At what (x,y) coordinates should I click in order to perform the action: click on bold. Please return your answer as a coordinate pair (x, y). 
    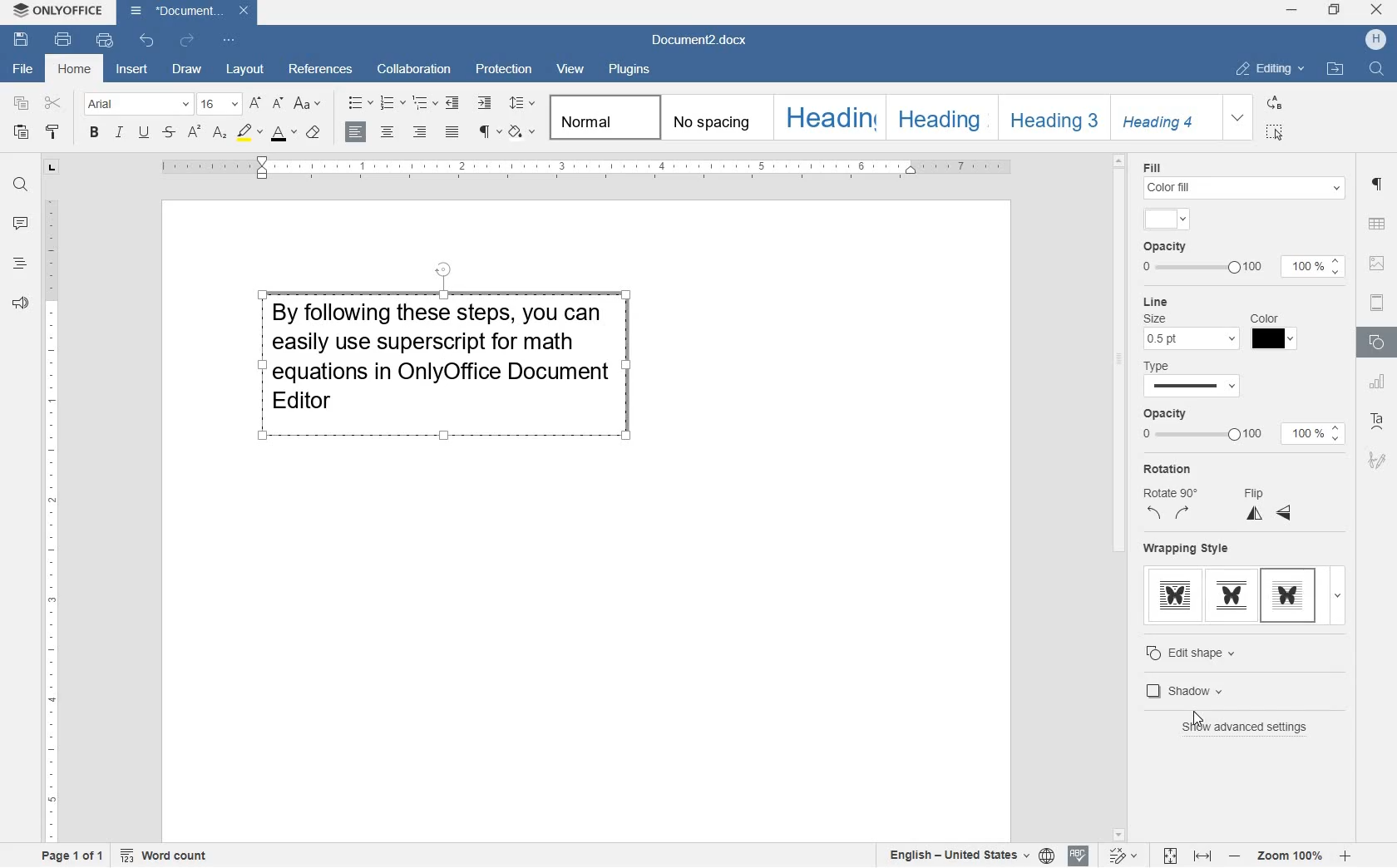
    Looking at the image, I should click on (94, 133).